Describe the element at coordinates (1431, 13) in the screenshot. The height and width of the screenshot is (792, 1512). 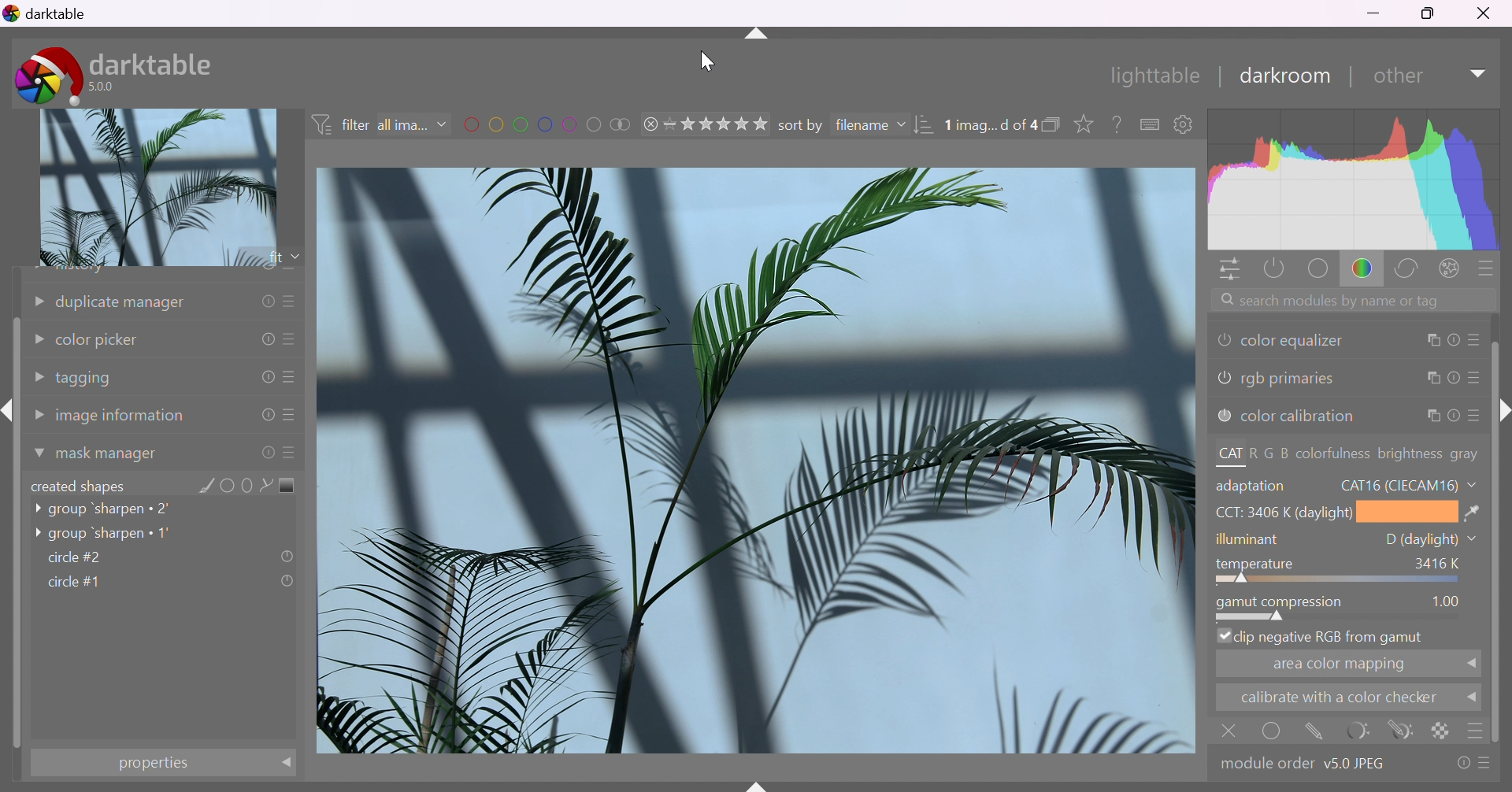
I see `restore down` at that location.